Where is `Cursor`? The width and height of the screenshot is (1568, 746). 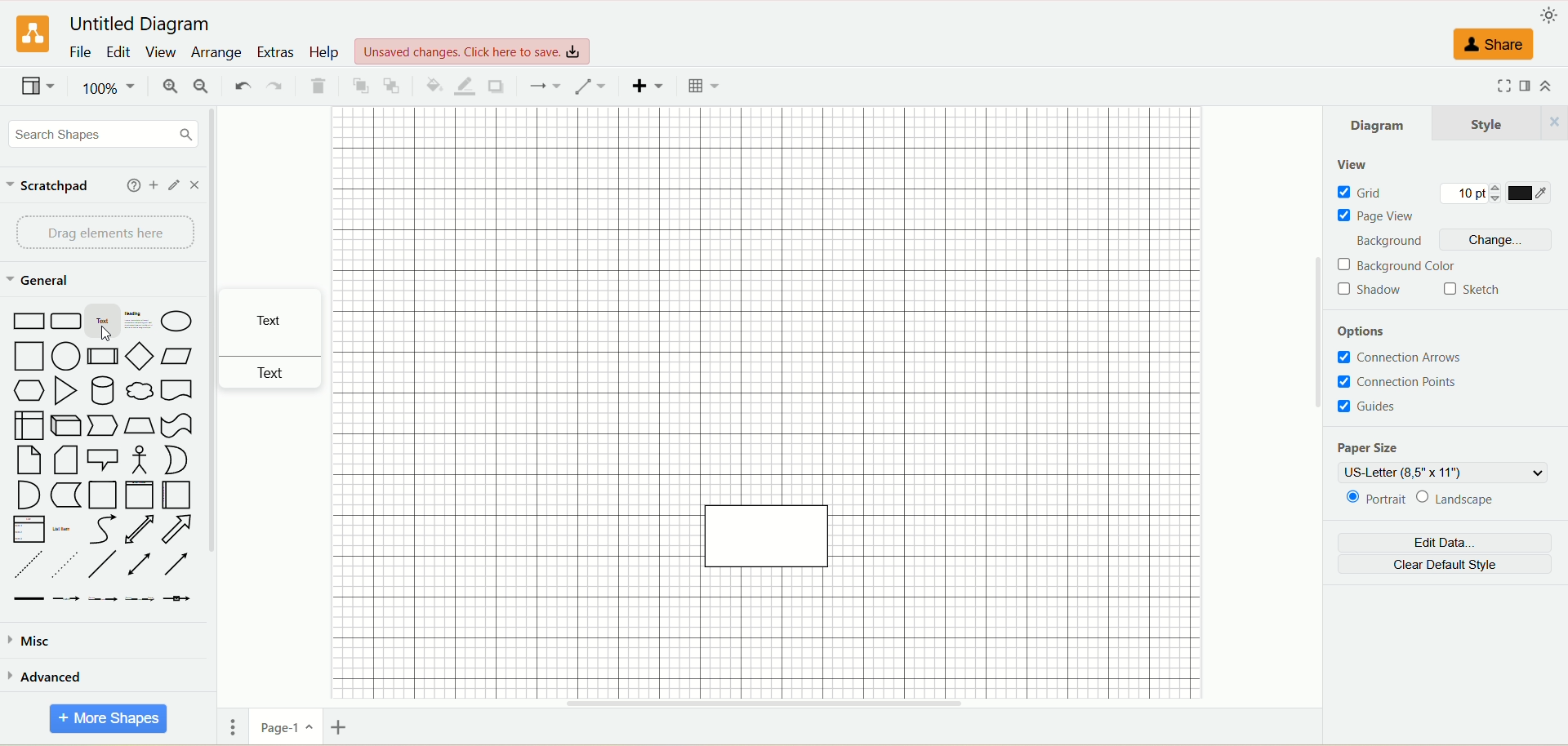 Cursor is located at coordinates (110, 335).